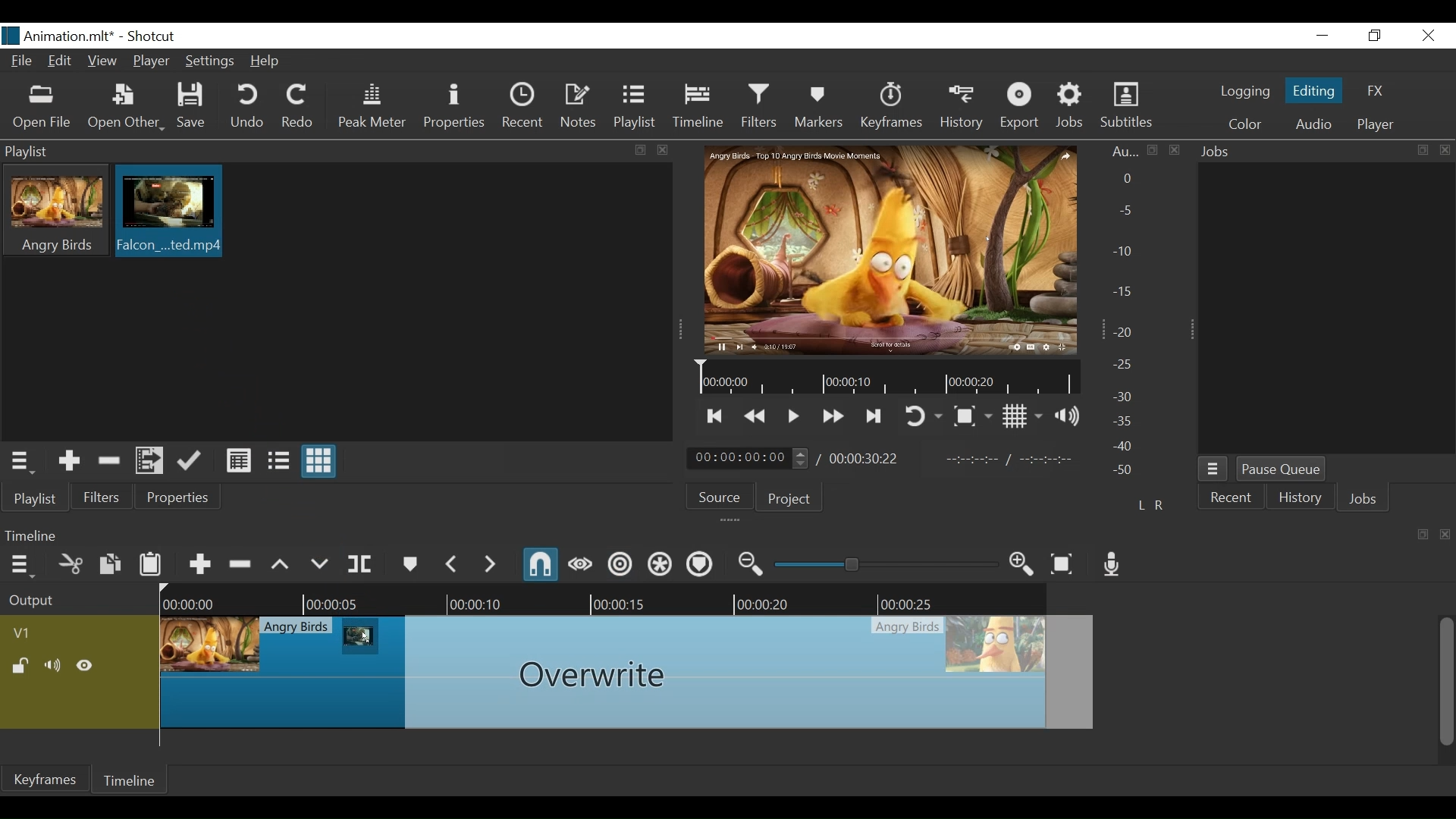  I want to click on Open File, so click(40, 108).